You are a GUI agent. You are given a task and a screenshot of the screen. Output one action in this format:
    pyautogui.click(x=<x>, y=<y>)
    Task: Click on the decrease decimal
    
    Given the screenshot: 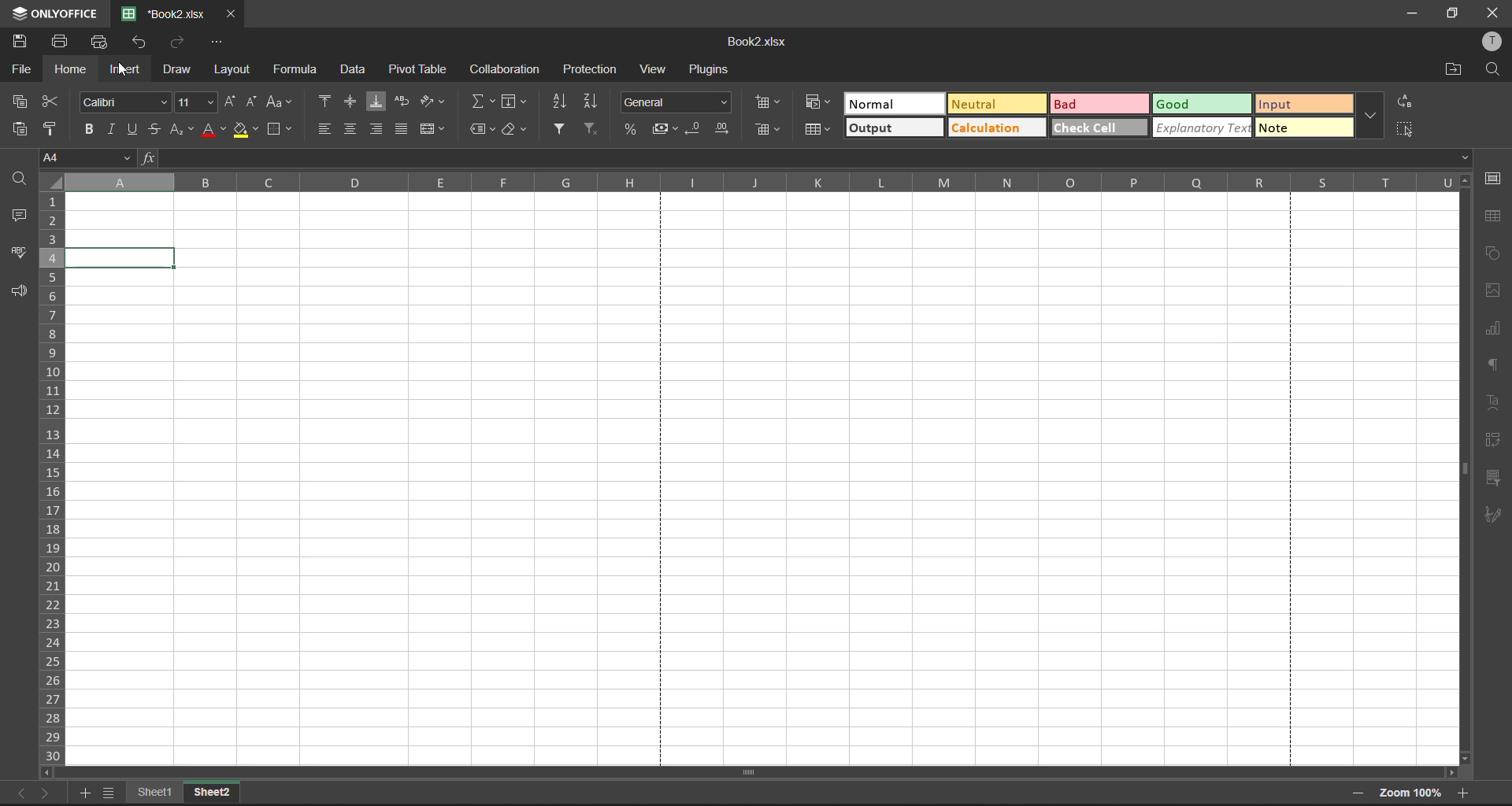 What is the action you would take?
    pyautogui.click(x=695, y=130)
    